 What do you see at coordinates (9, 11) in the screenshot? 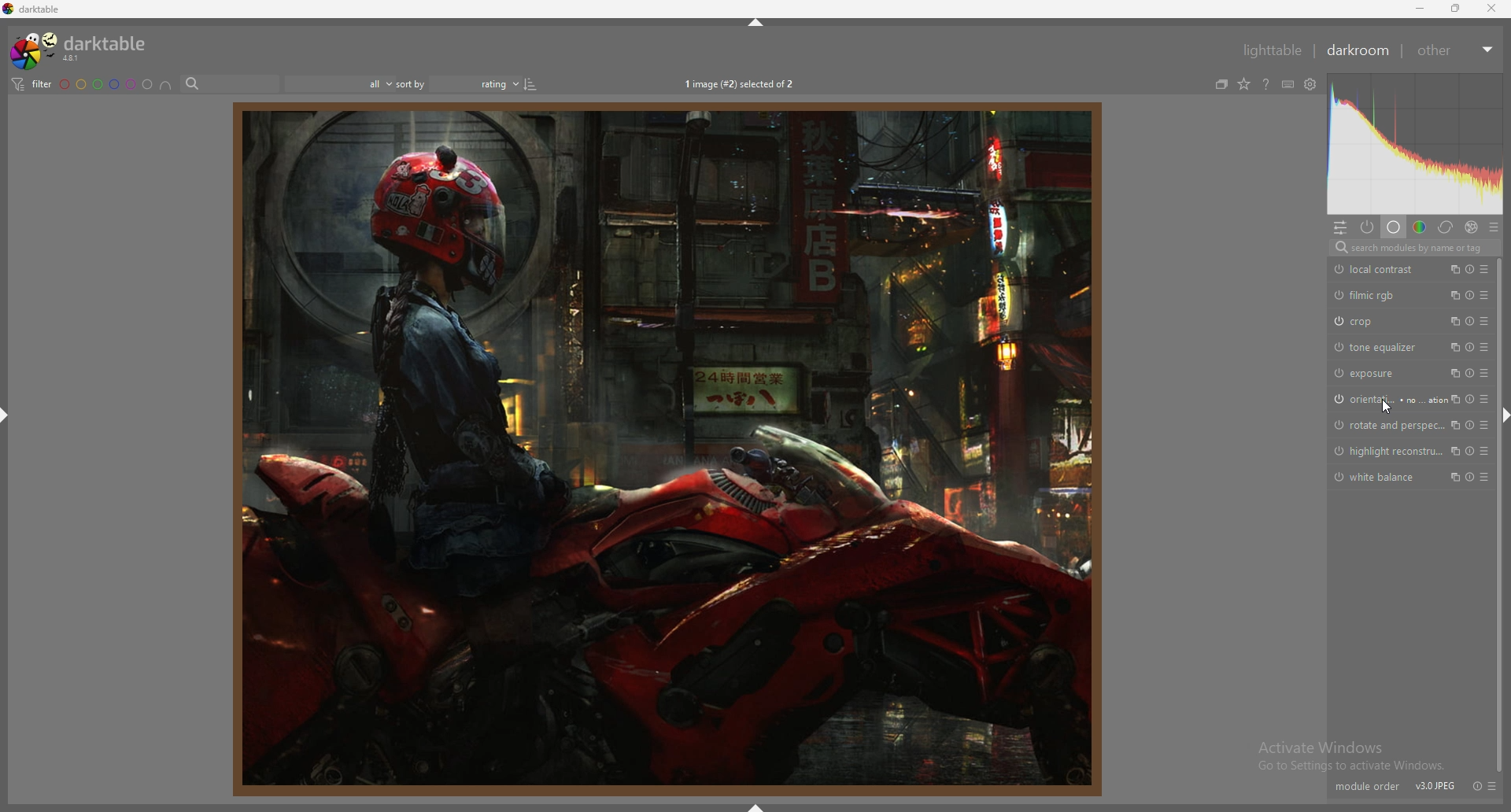
I see `darktable logo` at bounding box center [9, 11].